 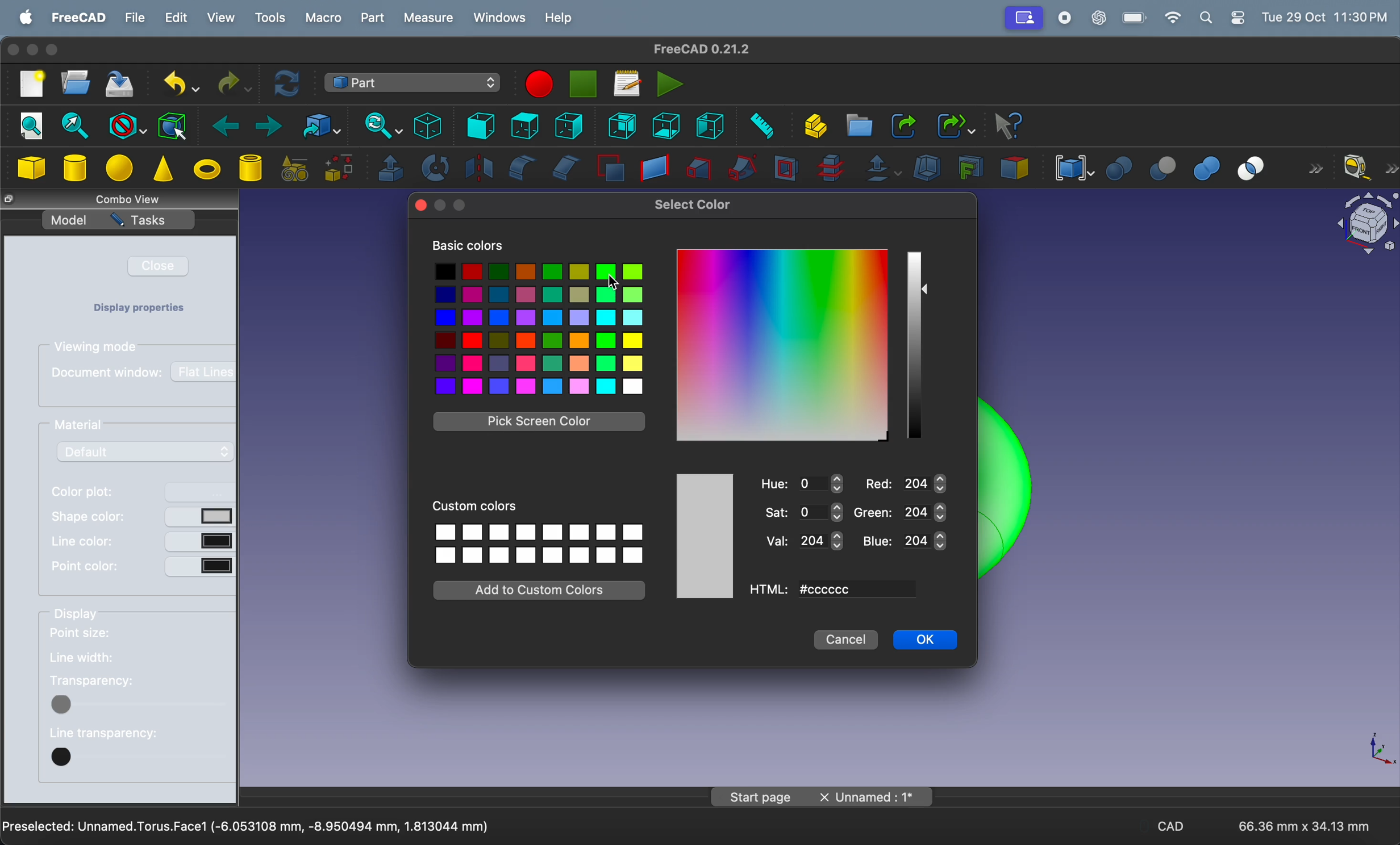 I want to click on colors, so click(x=541, y=328).